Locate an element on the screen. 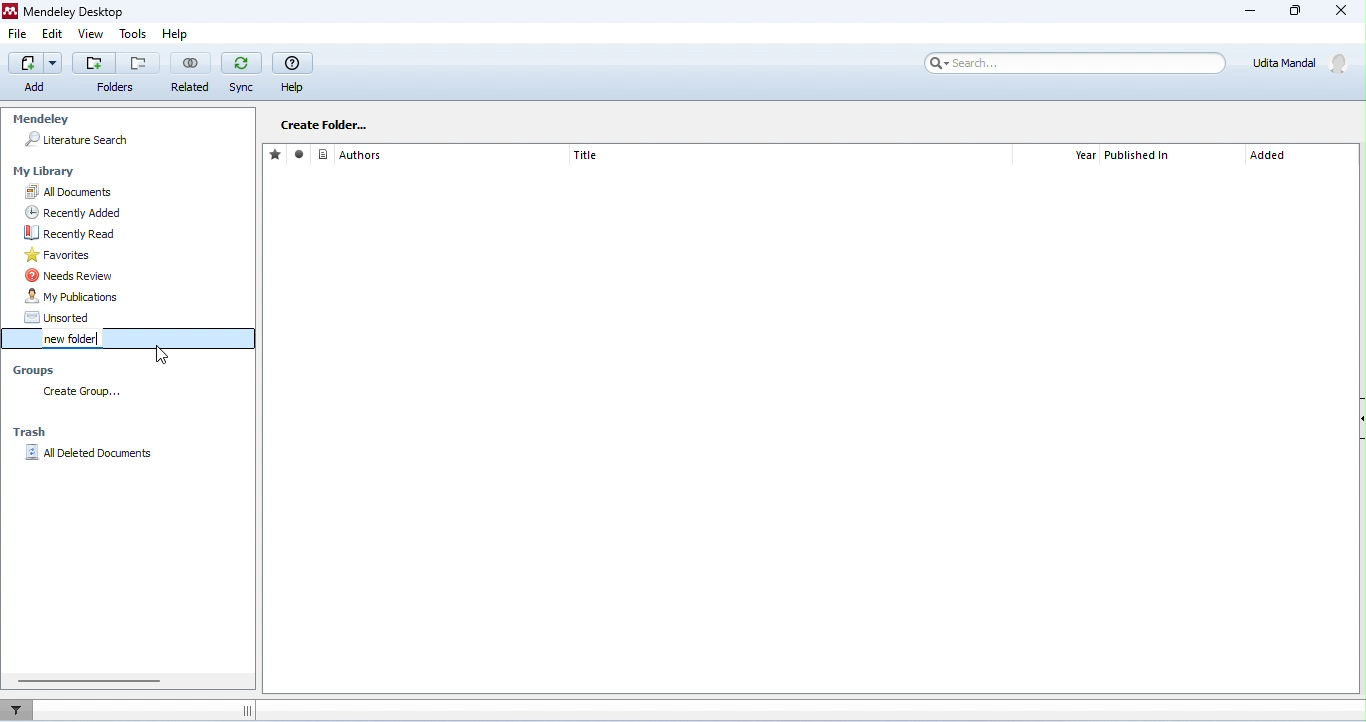  unsorted is located at coordinates (137, 317).